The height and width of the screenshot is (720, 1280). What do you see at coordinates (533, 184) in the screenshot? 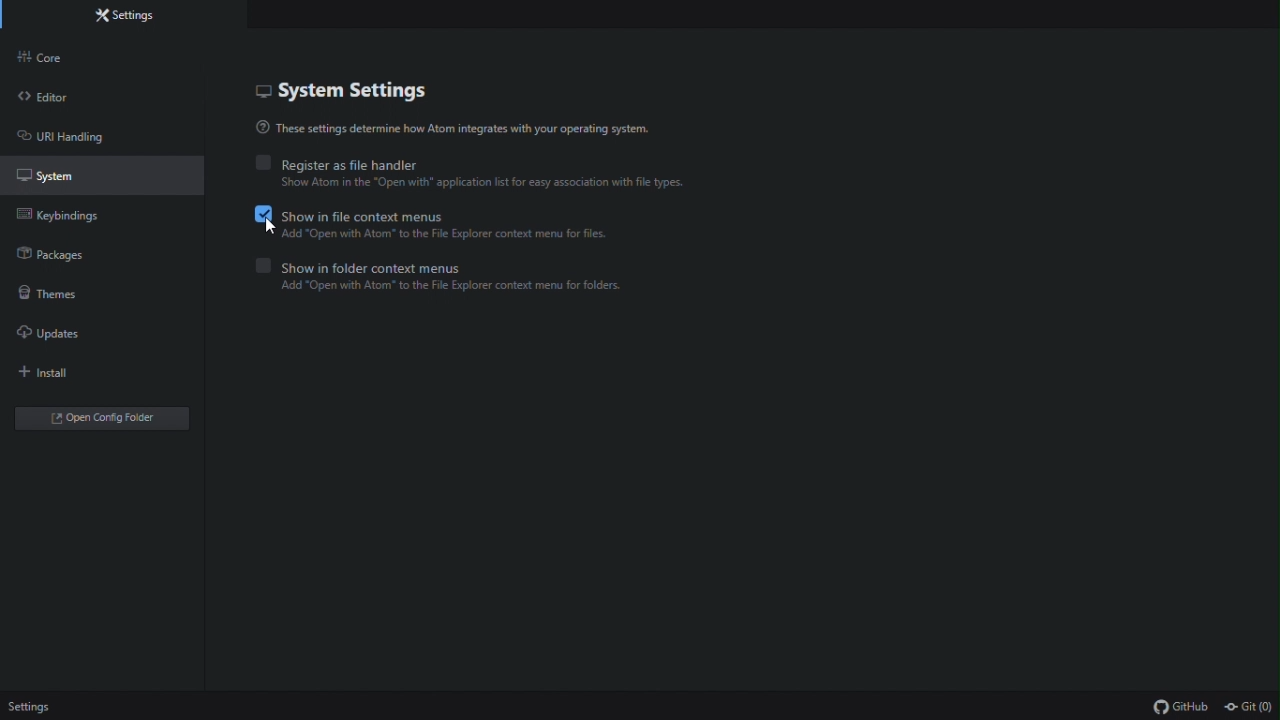
I see `Show Atom in the “Open with* application ist for easy association with fil types.` at bounding box center [533, 184].